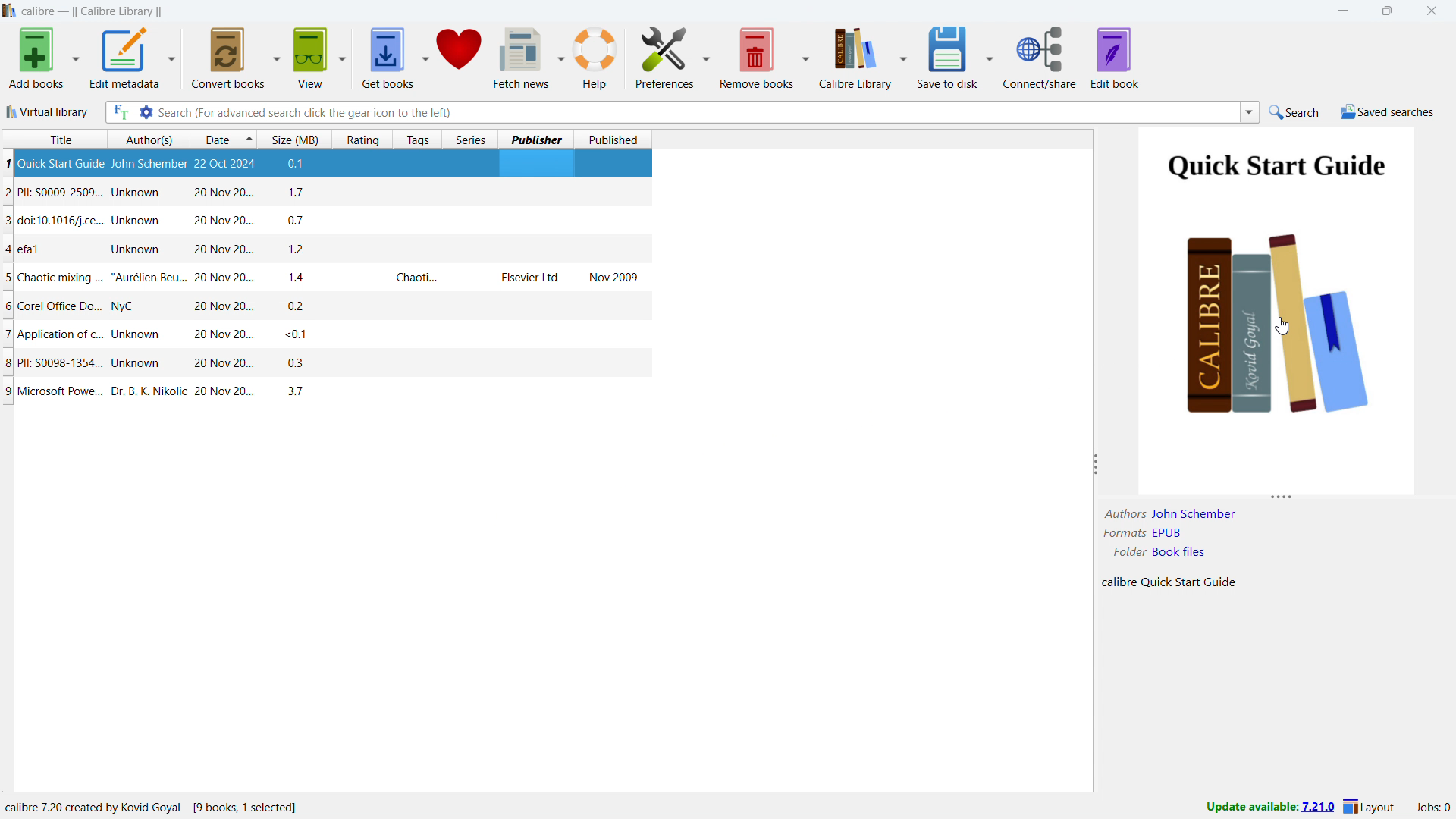  I want to click on virtual library, so click(47, 111).